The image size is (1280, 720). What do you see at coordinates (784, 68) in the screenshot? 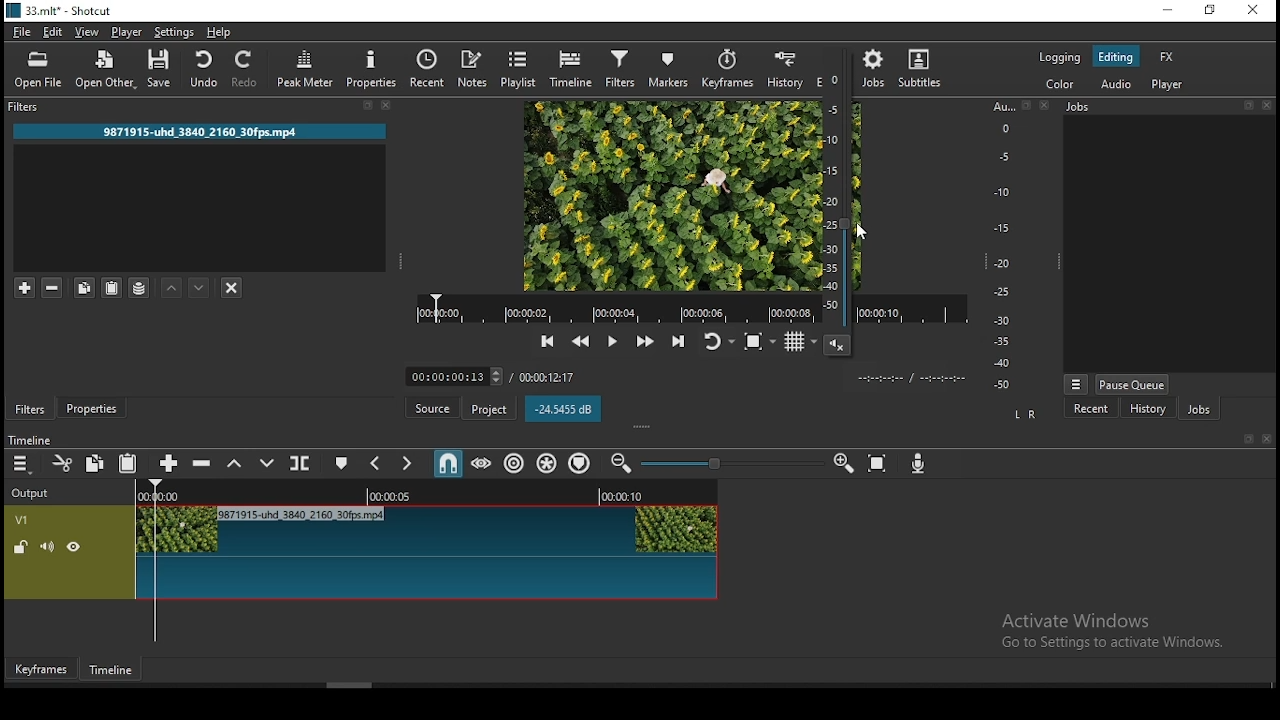
I see `history` at bounding box center [784, 68].